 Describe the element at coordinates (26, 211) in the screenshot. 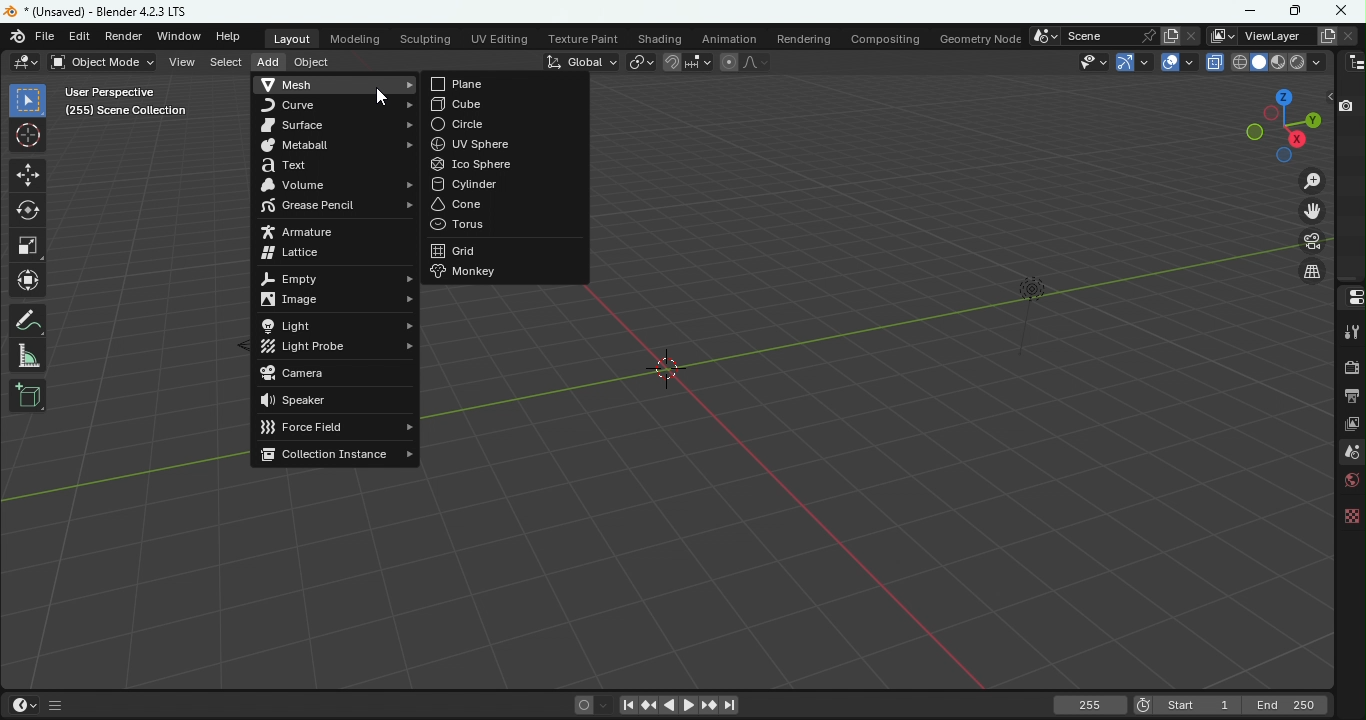

I see `Rotate` at that location.